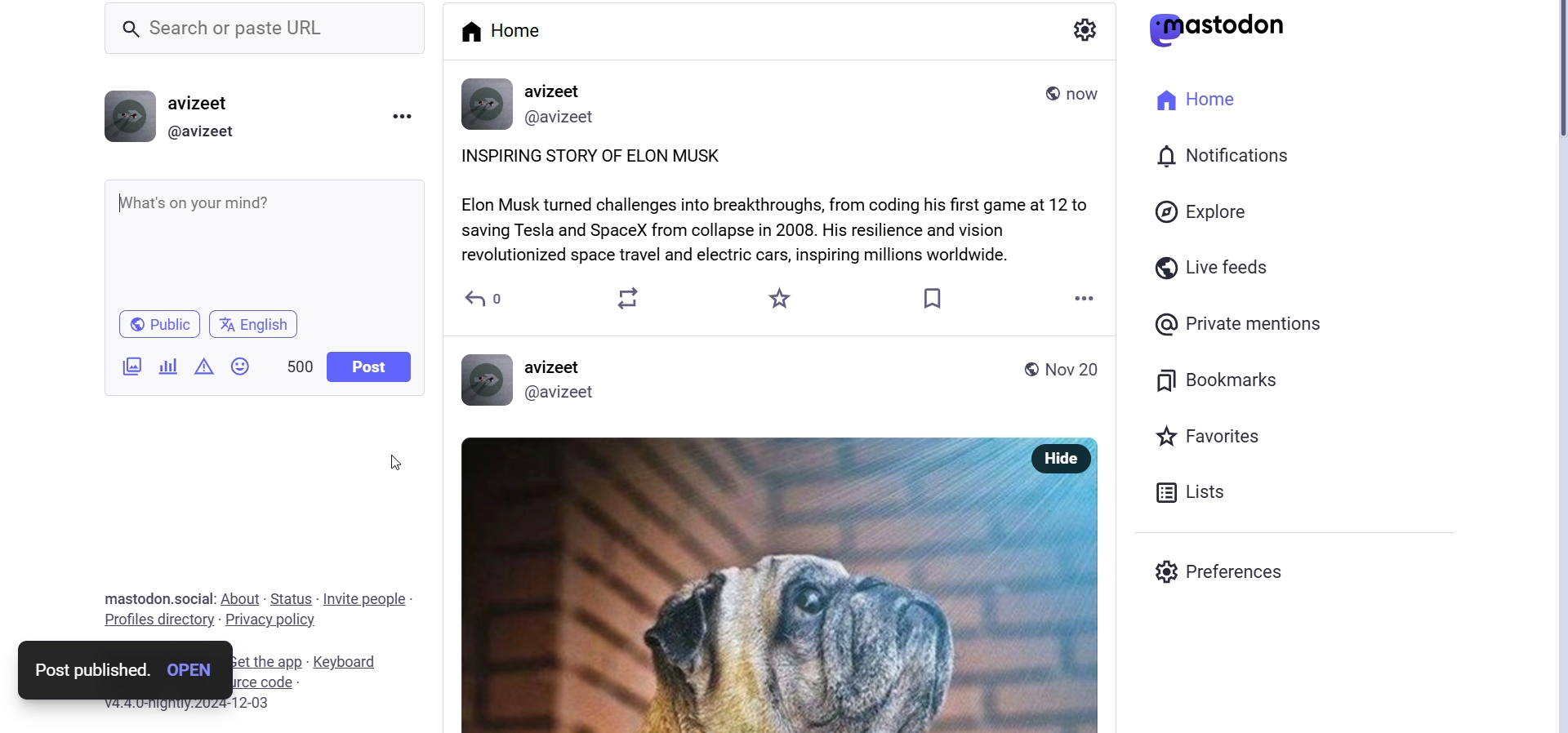  What do you see at coordinates (1238, 323) in the screenshot?
I see `private mentions` at bounding box center [1238, 323].